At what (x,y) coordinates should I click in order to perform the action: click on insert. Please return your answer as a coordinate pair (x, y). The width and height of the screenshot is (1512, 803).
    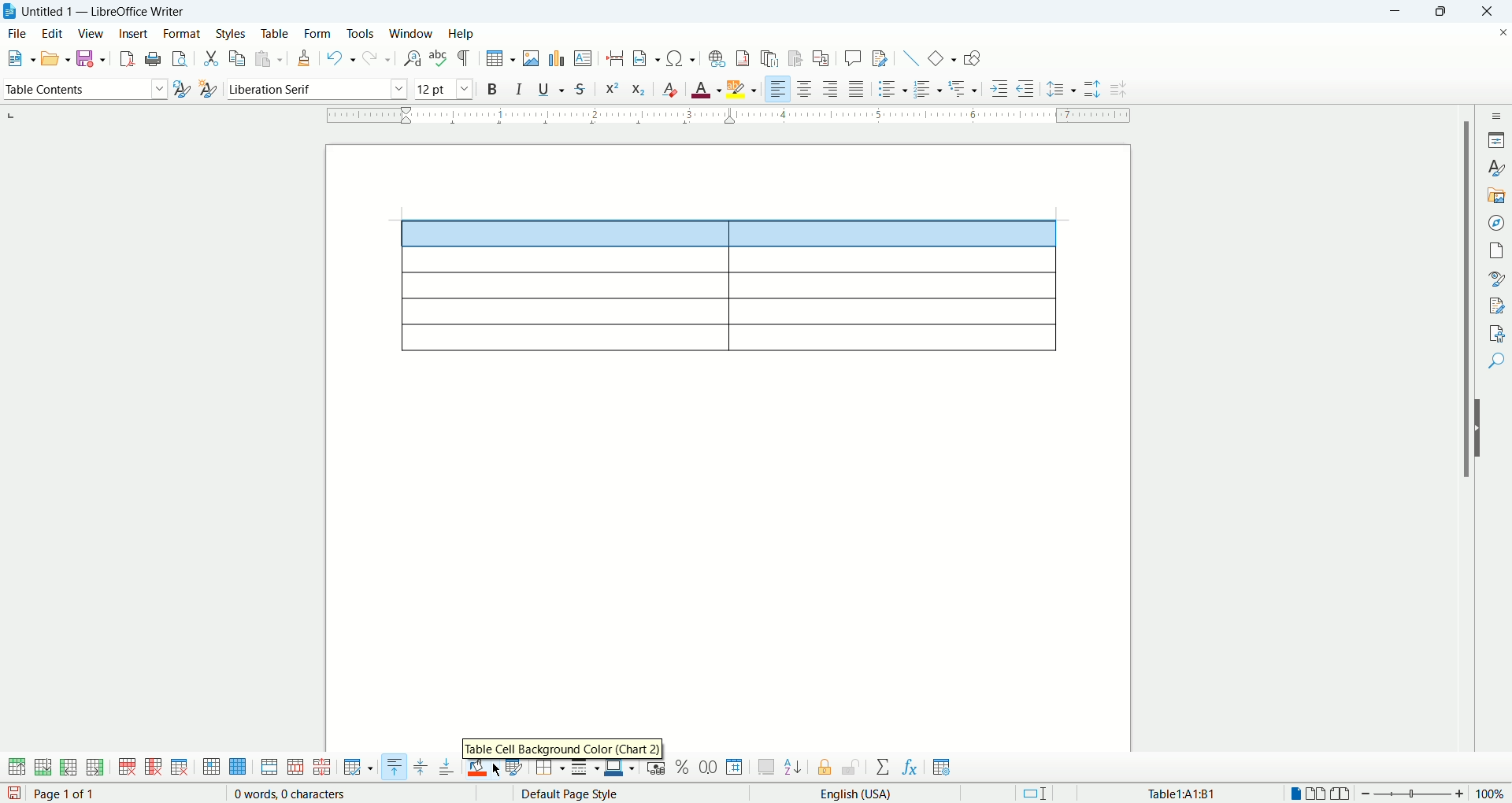
    Looking at the image, I should click on (135, 33).